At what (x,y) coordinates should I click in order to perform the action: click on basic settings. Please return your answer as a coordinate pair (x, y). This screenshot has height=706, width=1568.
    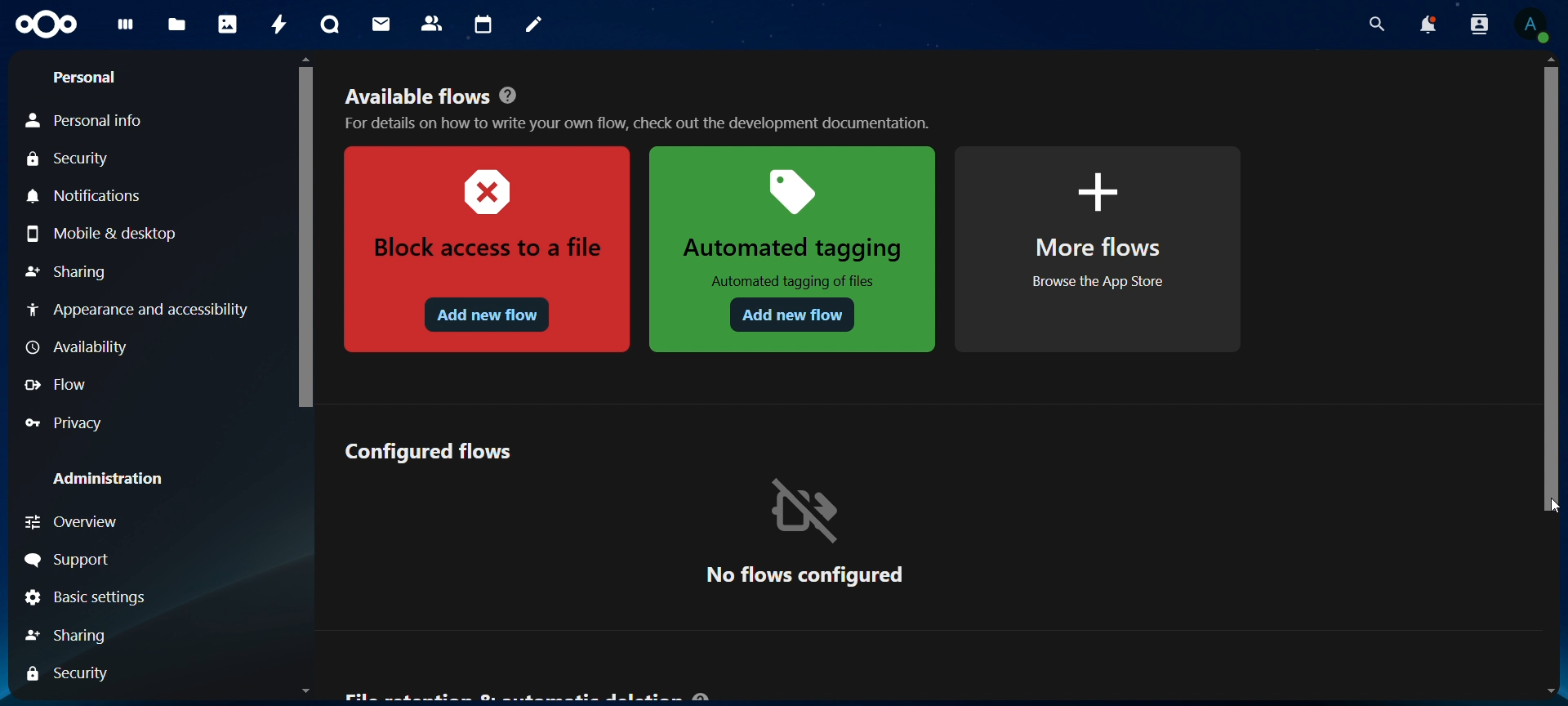
    Looking at the image, I should click on (87, 599).